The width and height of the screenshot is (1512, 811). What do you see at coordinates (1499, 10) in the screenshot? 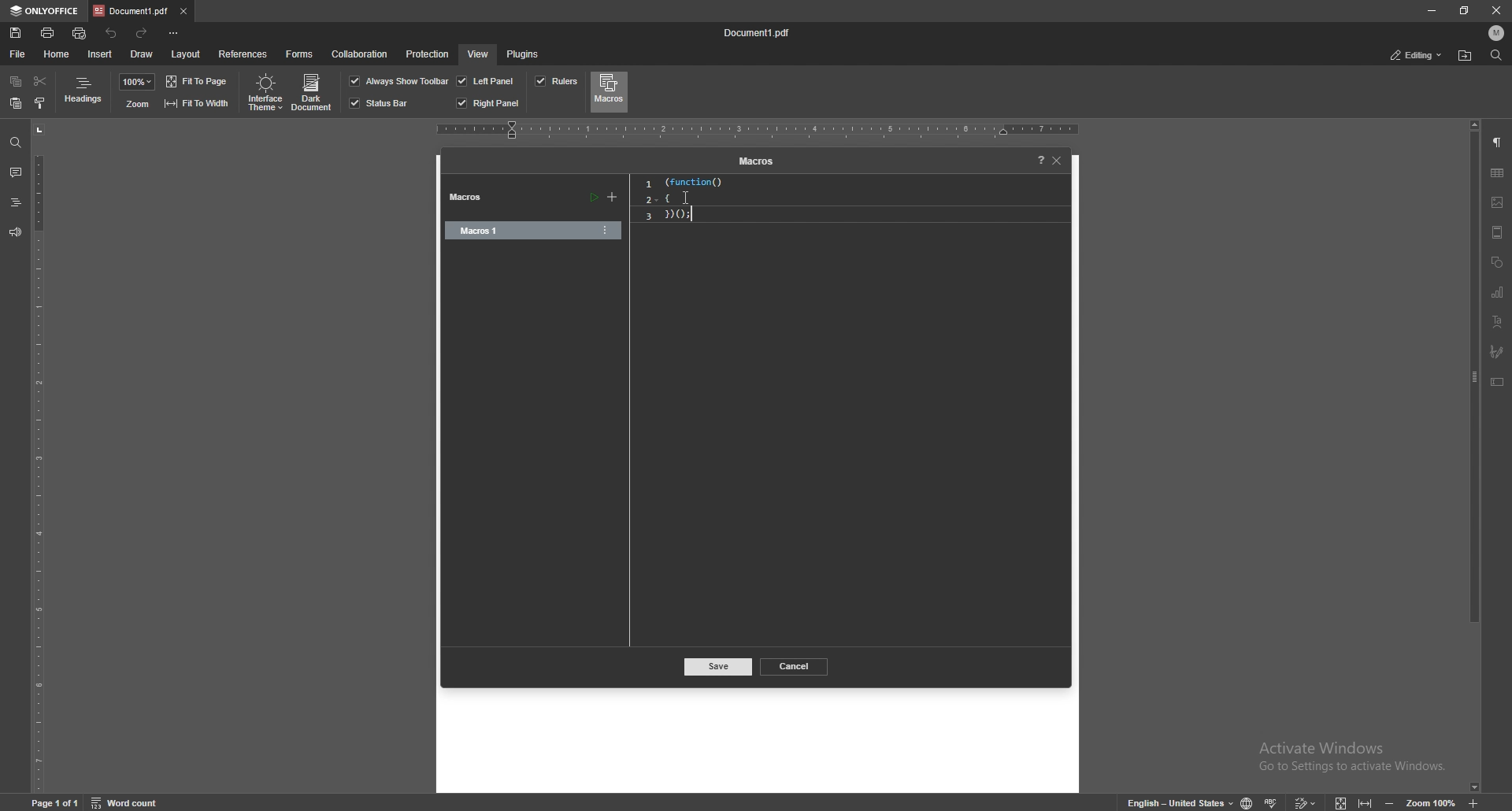
I see `close` at bounding box center [1499, 10].